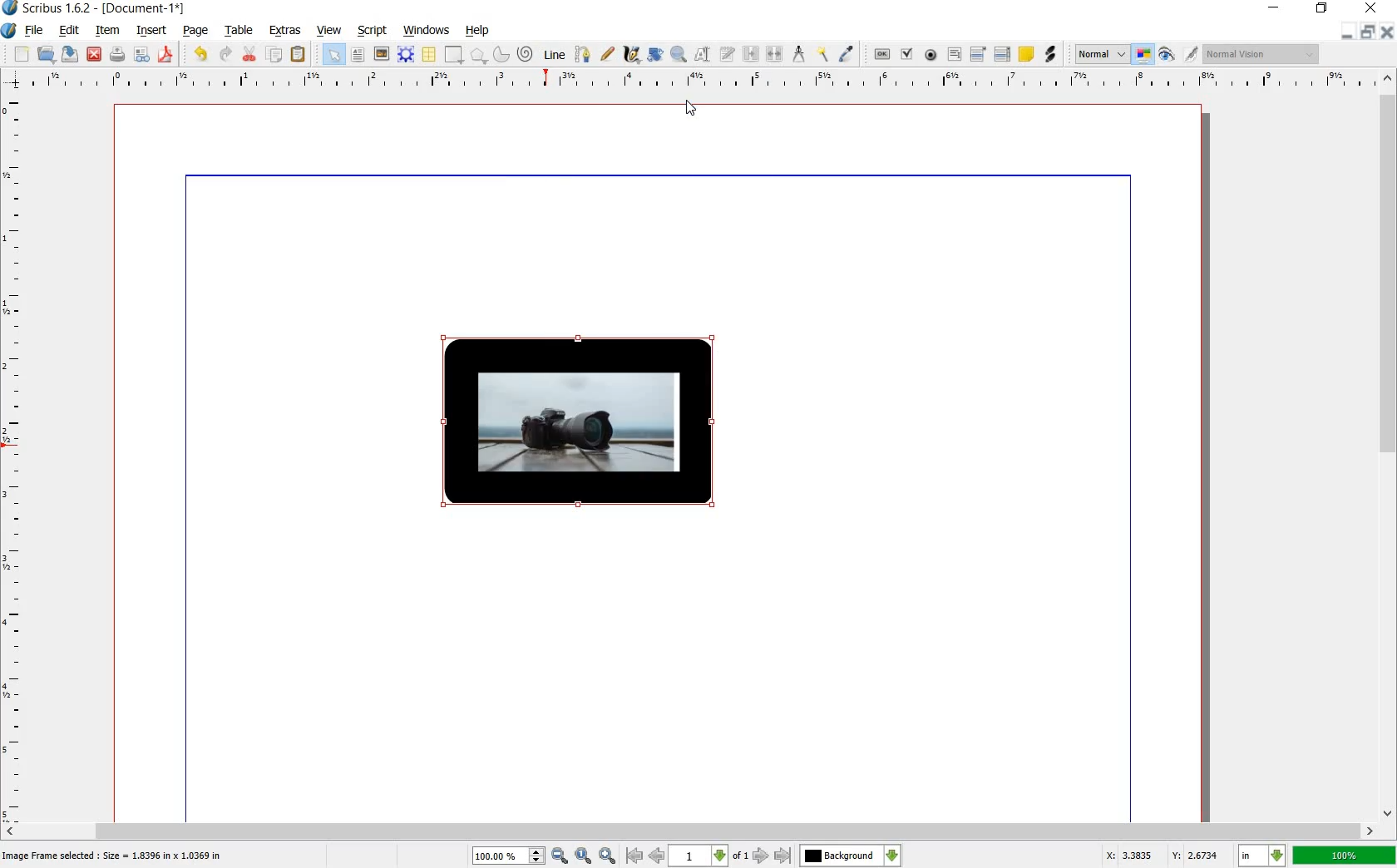 This screenshot has width=1397, height=868. What do you see at coordinates (689, 110) in the screenshot?
I see `Pointer` at bounding box center [689, 110].